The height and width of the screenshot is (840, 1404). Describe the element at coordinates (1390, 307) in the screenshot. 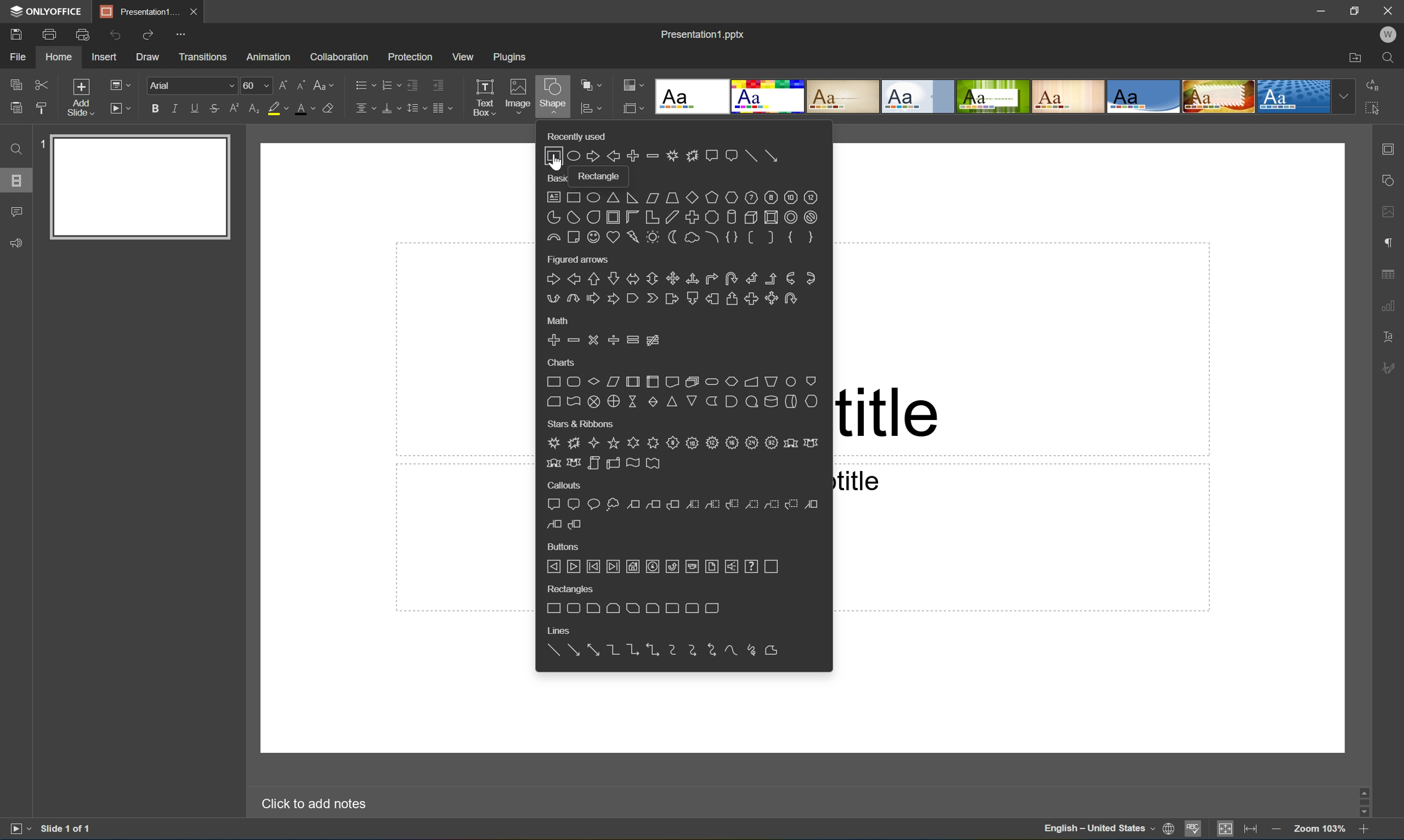

I see `chart settings` at that location.